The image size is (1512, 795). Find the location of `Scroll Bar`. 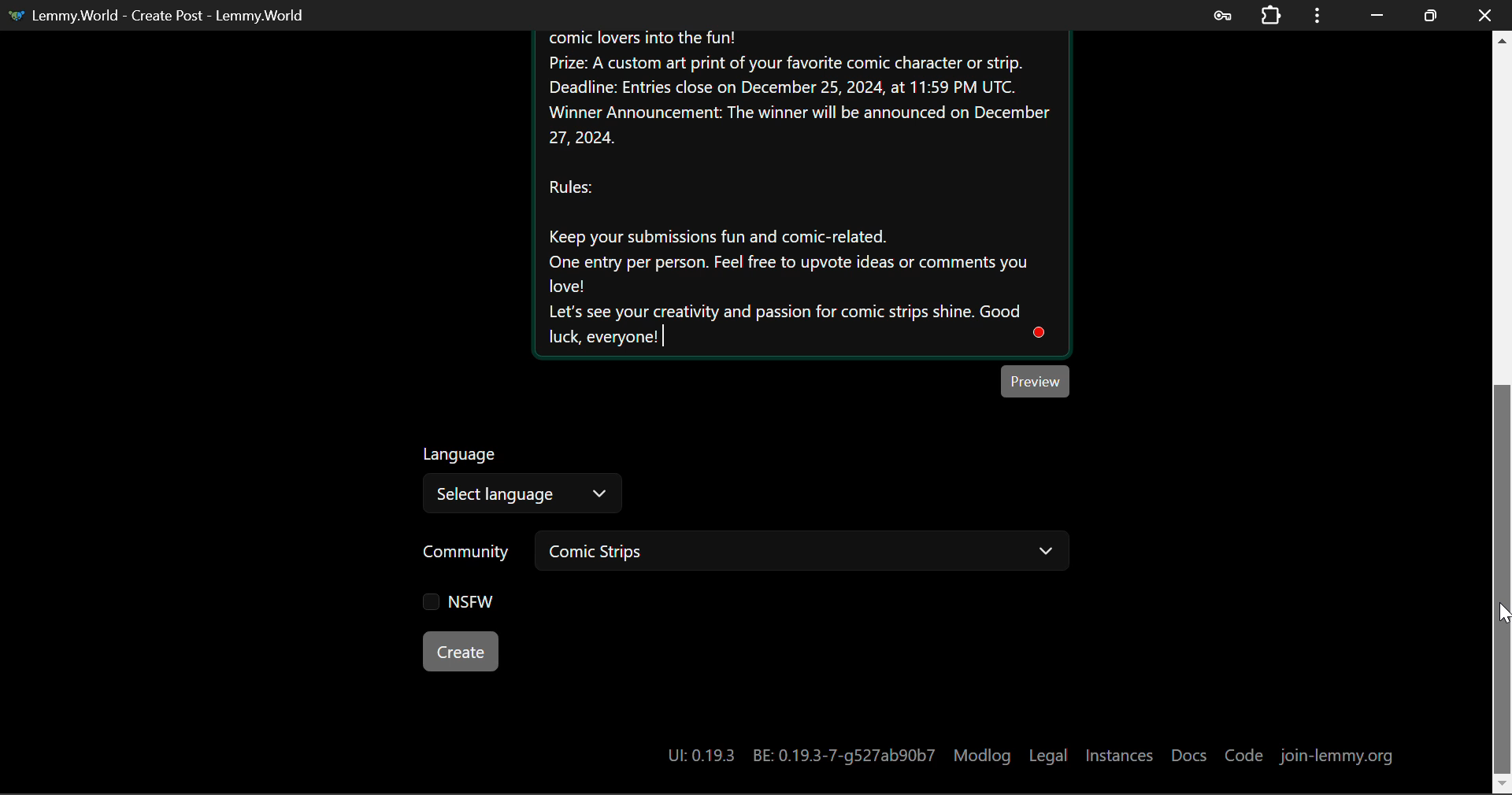

Scroll Bar is located at coordinates (1503, 411).